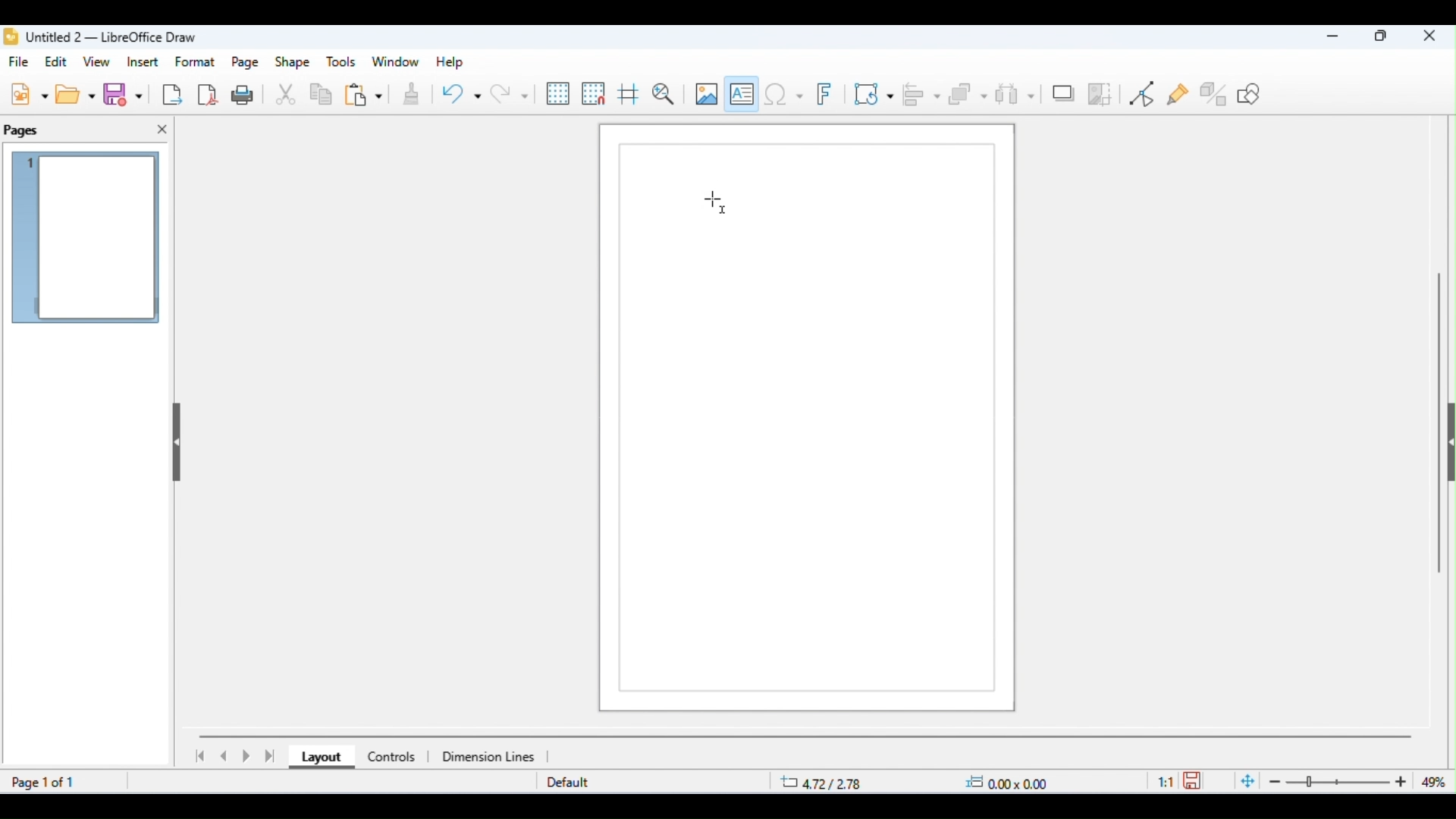 The image size is (1456, 819). Describe the element at coordinates (1429, 37) in the screenshot. I see `close` at that location.